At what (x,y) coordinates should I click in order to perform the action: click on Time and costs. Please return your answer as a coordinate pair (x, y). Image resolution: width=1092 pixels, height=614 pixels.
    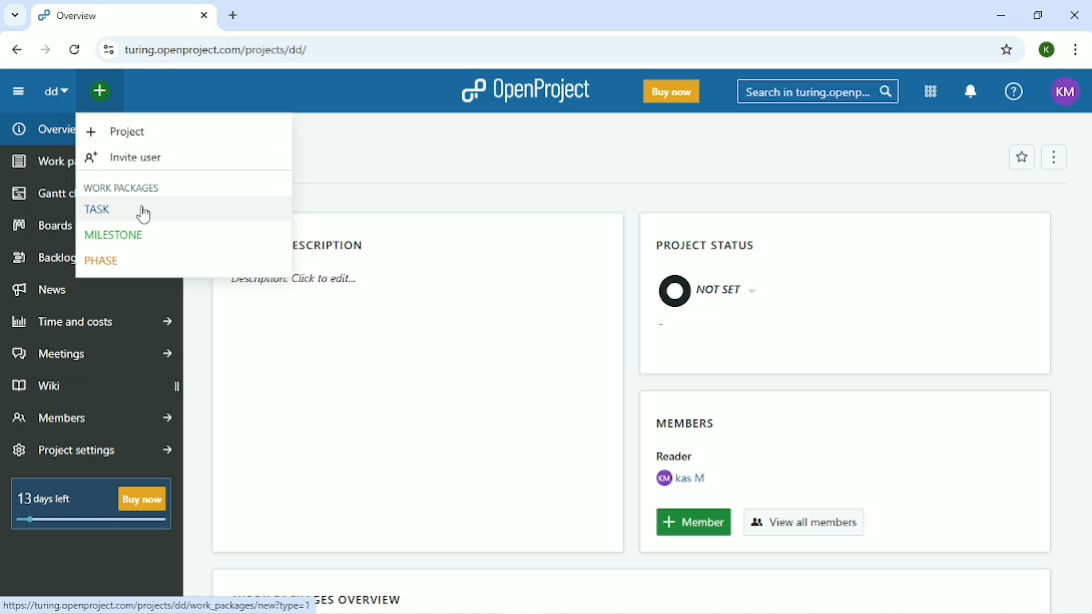
    Looking at the image, I should click on (92, 322).